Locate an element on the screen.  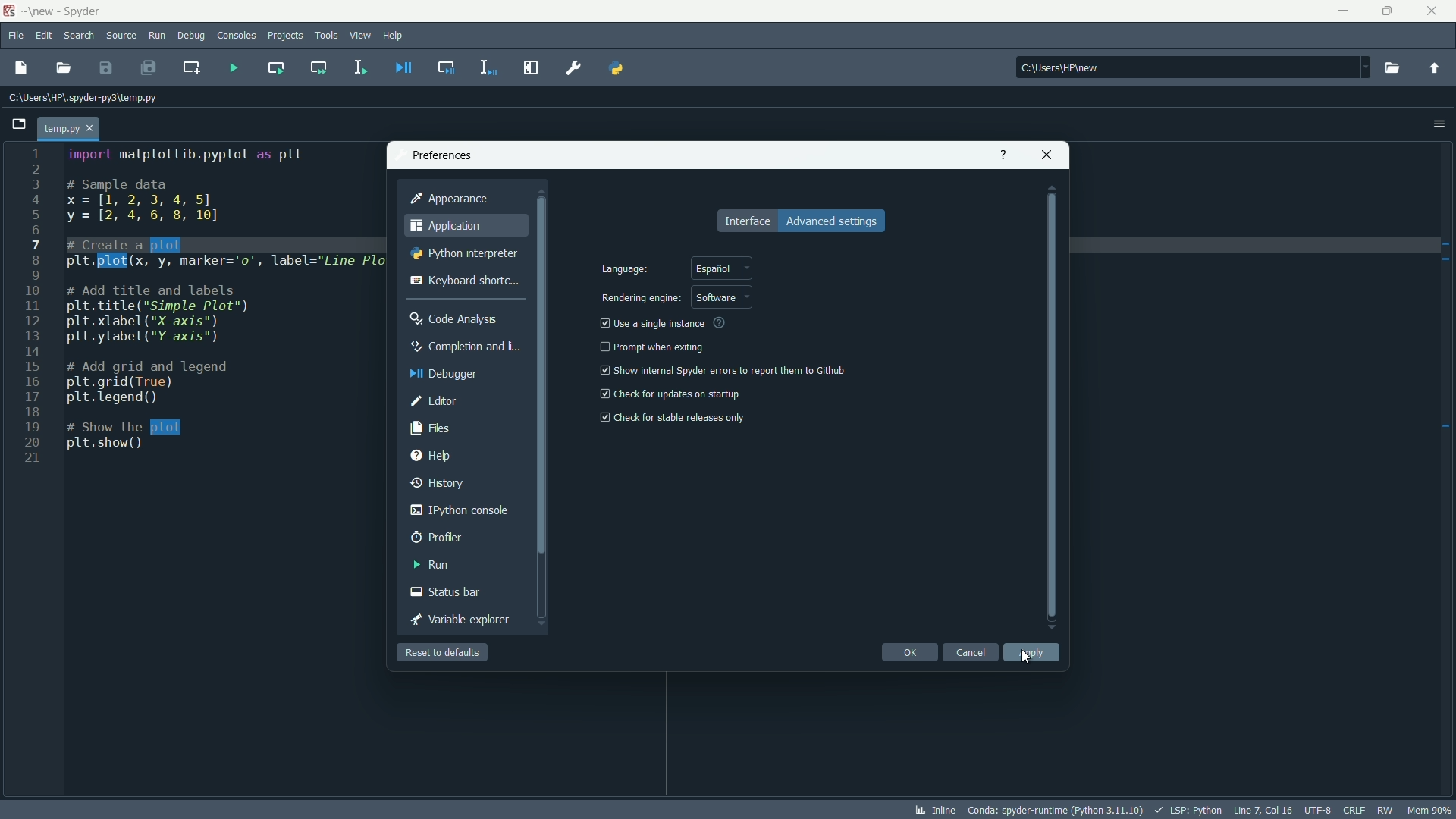
view is located at coordinates (359, 36).